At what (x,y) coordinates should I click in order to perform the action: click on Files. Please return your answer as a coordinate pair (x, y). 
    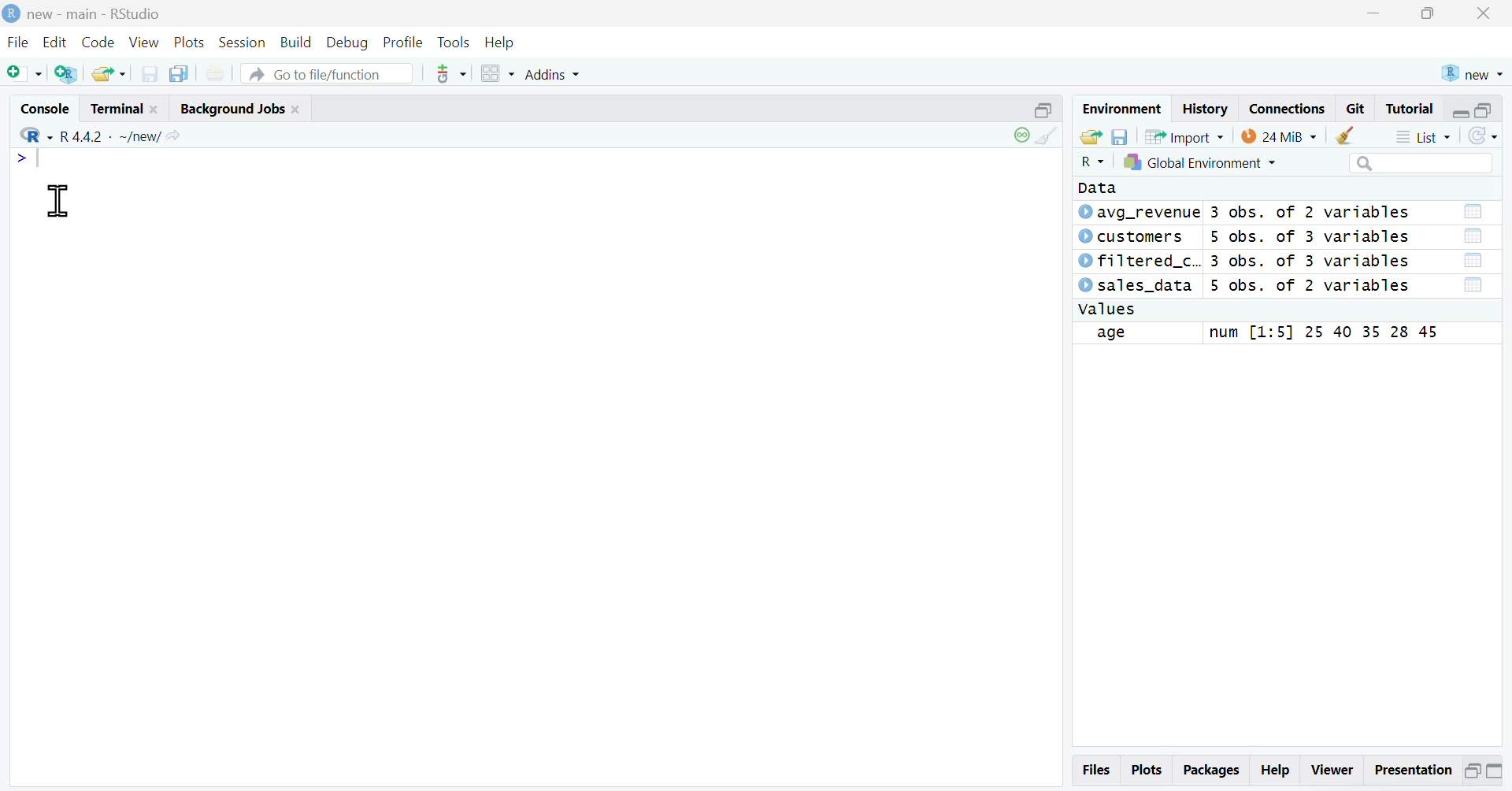
    Looking at the image, I should click on (1097, 770).